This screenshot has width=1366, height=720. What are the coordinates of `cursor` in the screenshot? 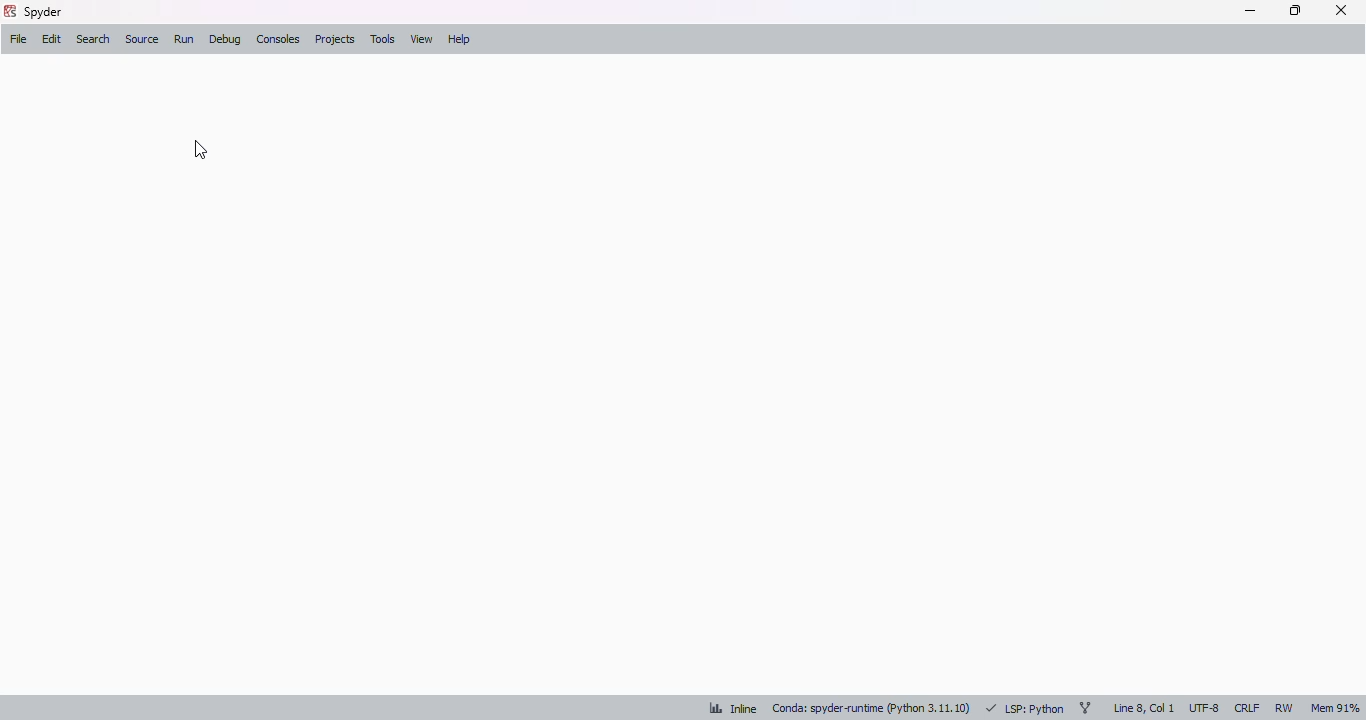 It's located at (201, 150).